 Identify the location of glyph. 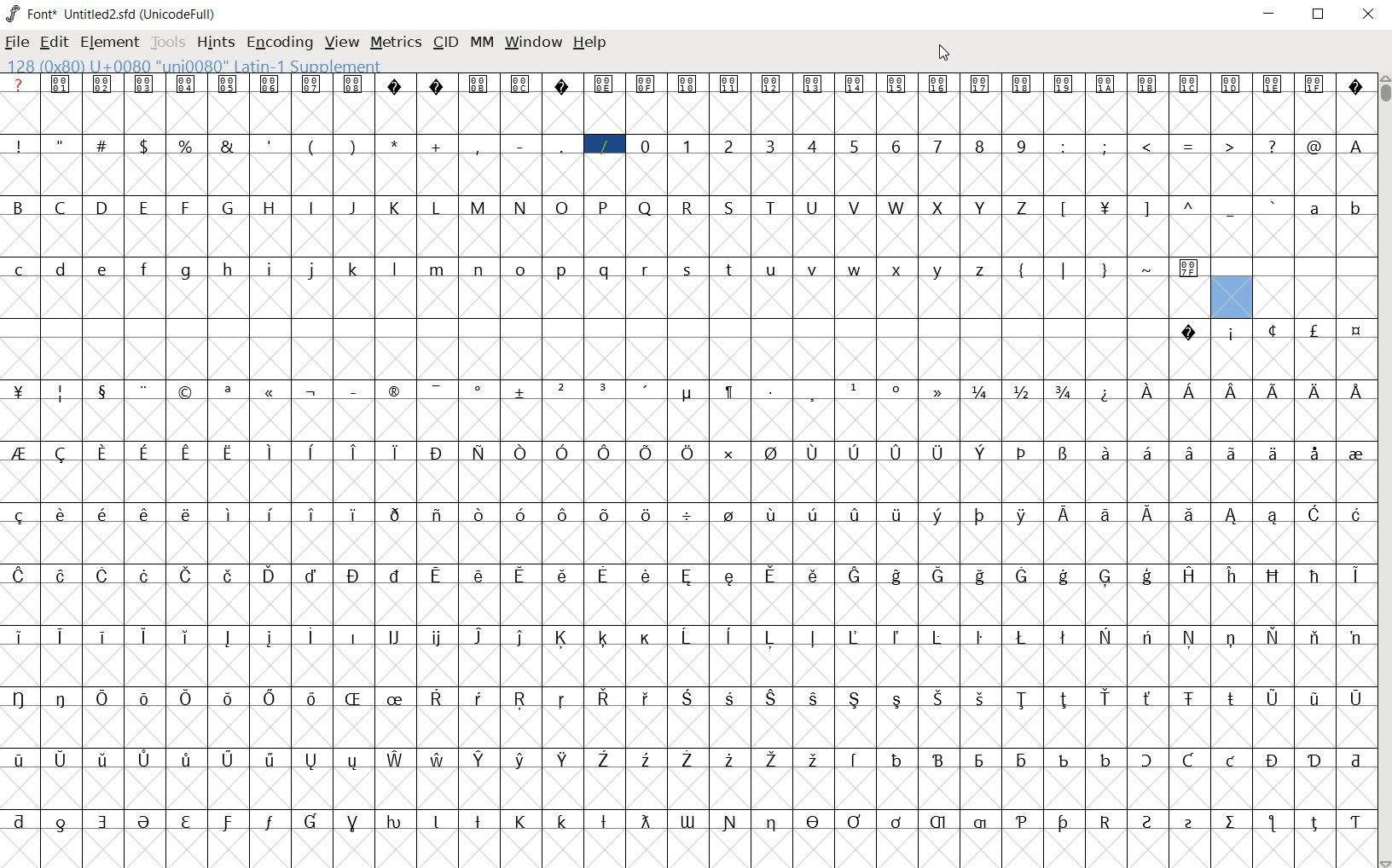
(772, 824).